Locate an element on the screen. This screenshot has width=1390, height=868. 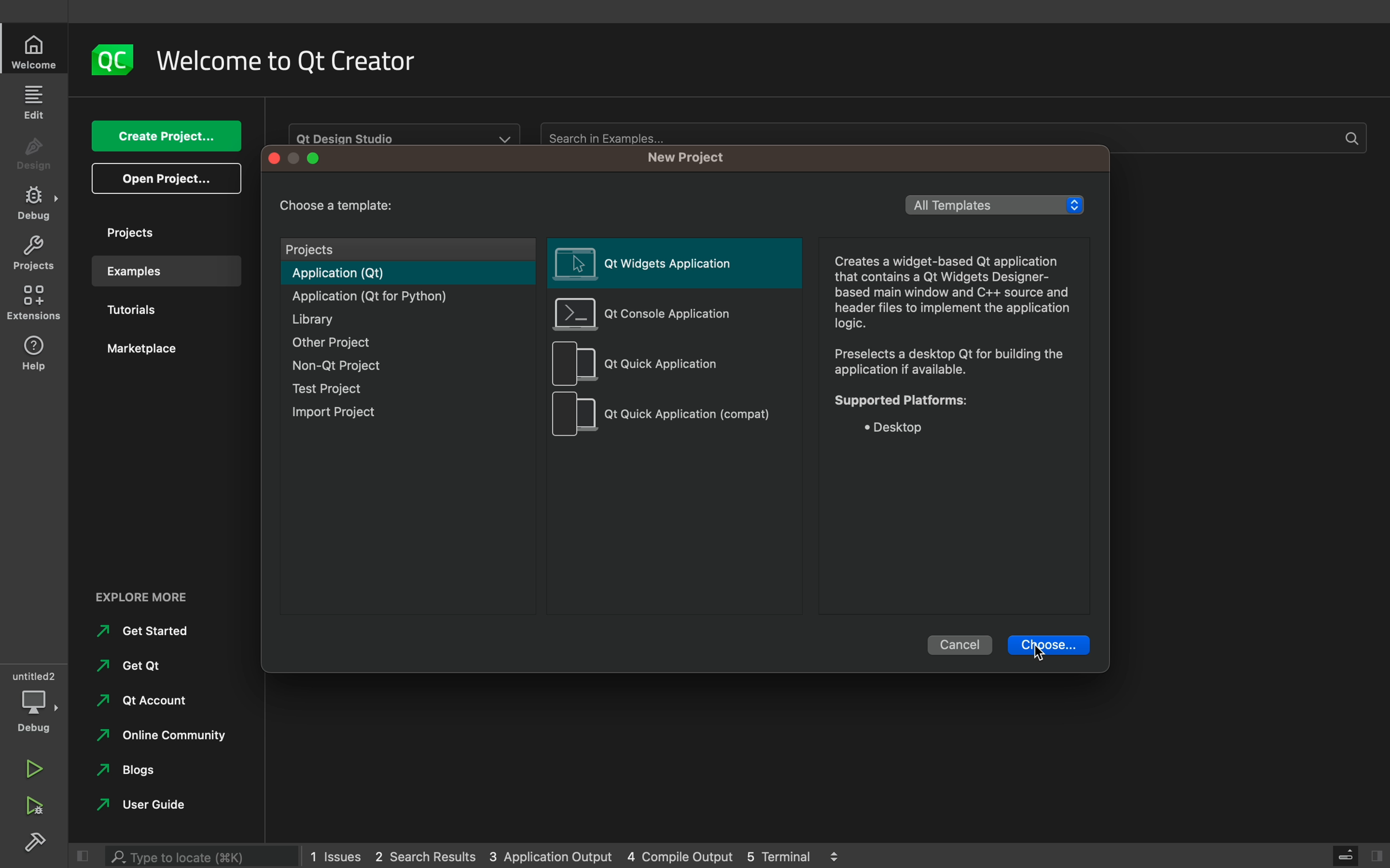
online community is located at coordinates (157, 739).